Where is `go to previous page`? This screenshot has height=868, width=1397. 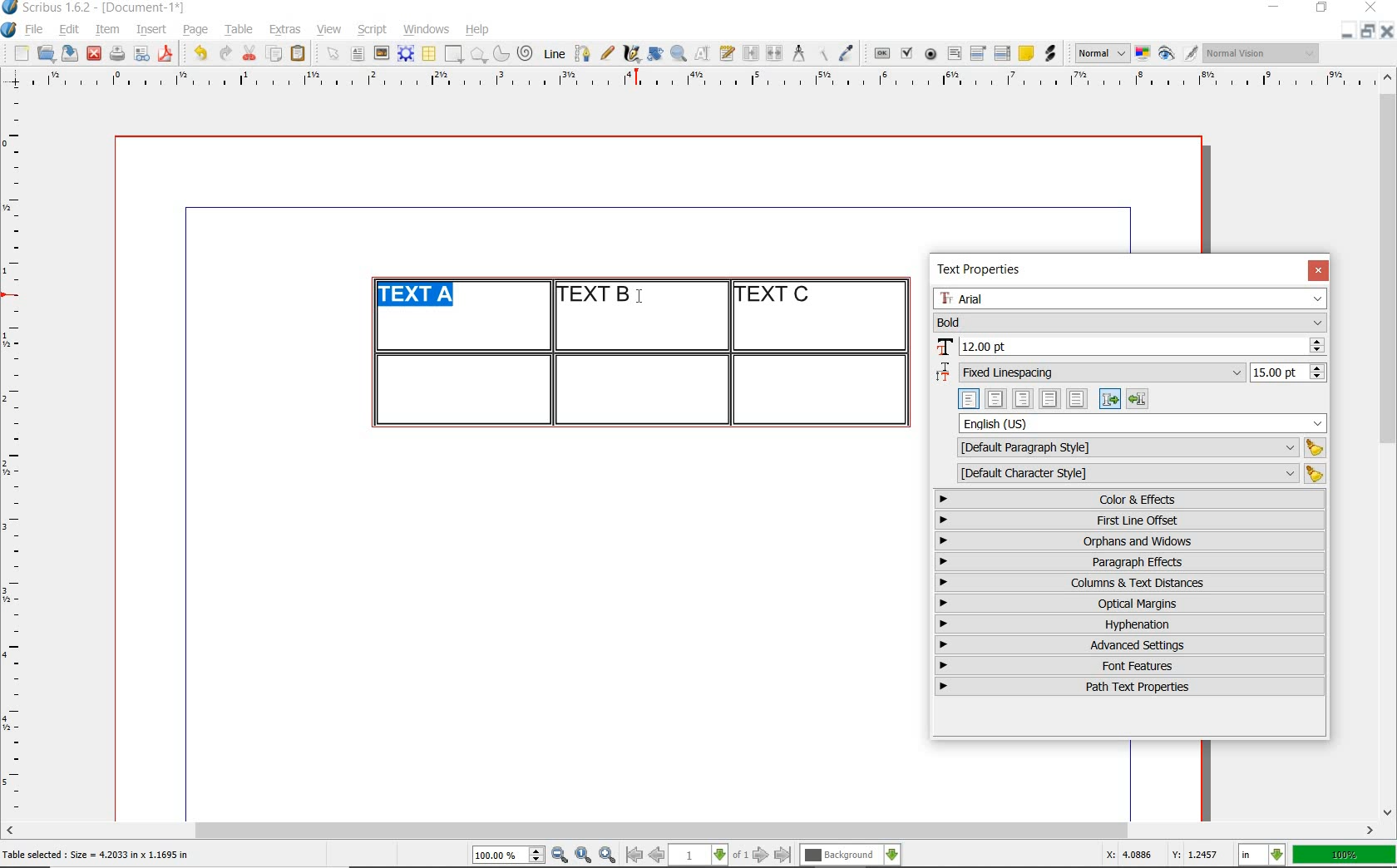
go to previous page is located at coordinates (656, 856).